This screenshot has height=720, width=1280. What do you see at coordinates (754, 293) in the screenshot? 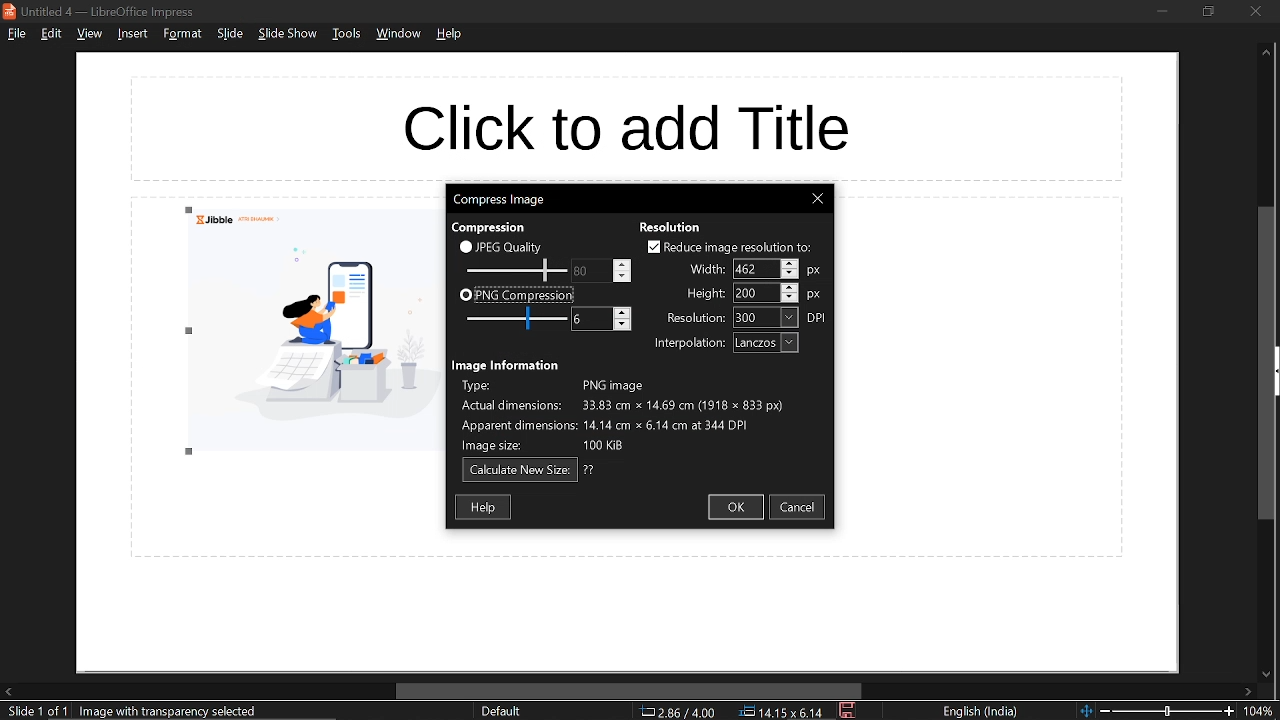
I see `height` at bounding box center [754, 293].